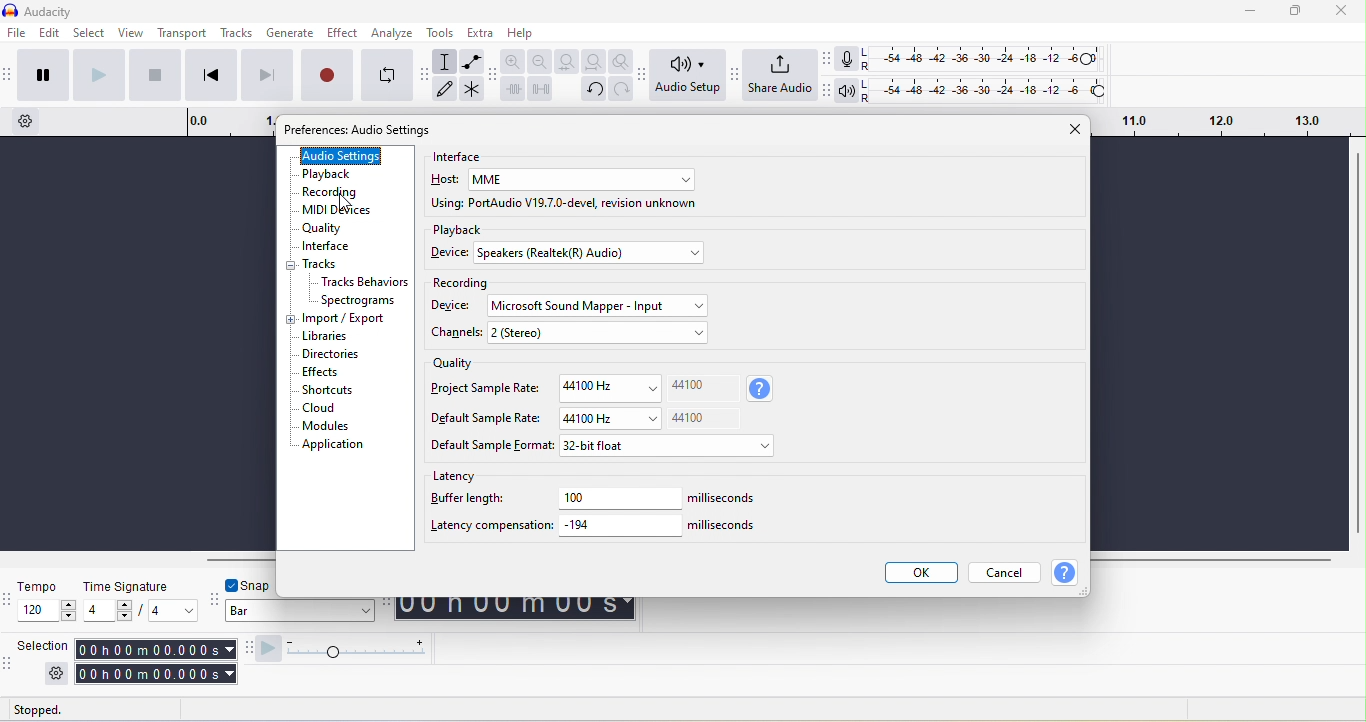 The width and height of the screenshot is (1366, 722). Describe the element at coordinates (49, 32) in the screenshot. I see `edit` at that location.